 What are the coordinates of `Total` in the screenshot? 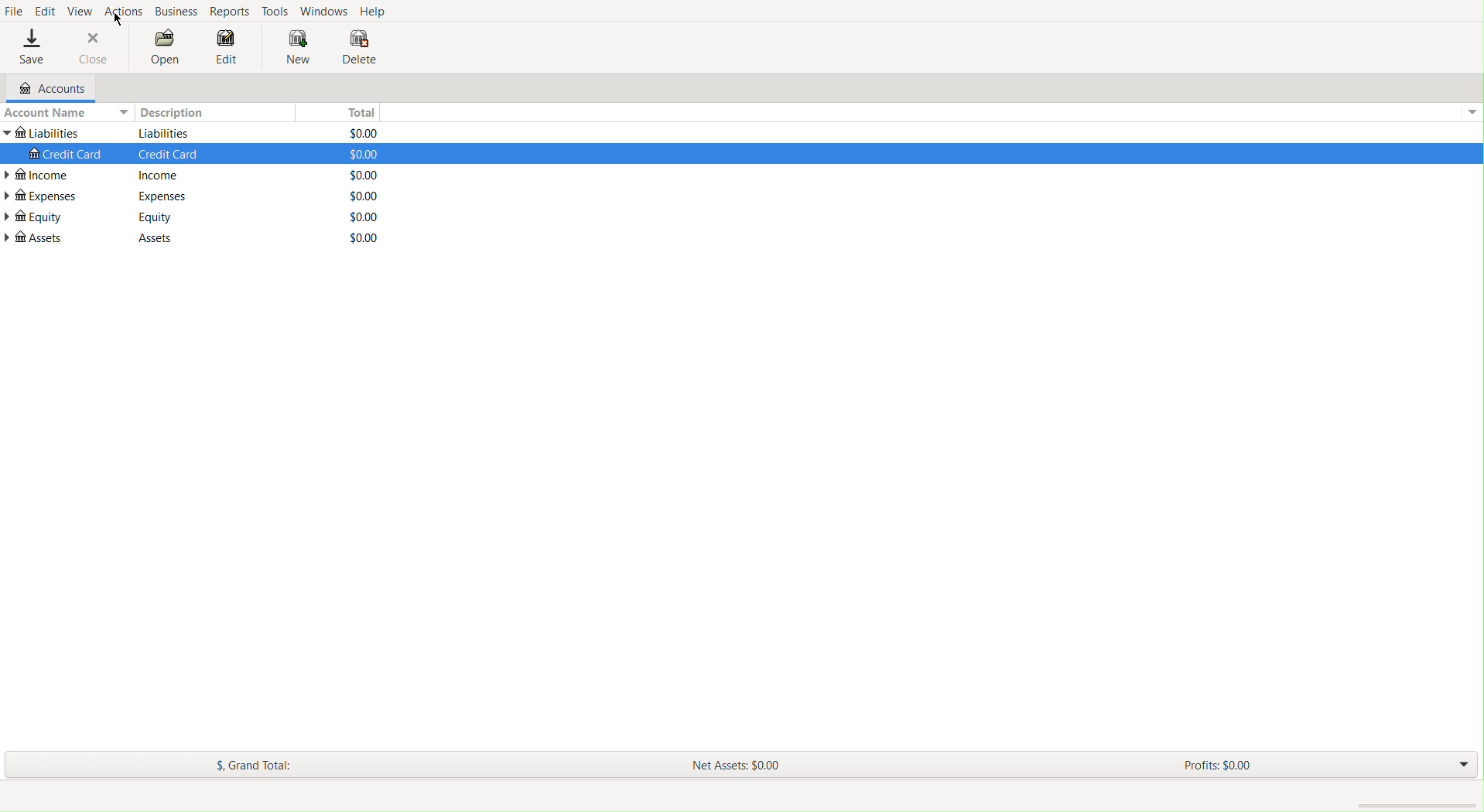 It's located at (364, 216).